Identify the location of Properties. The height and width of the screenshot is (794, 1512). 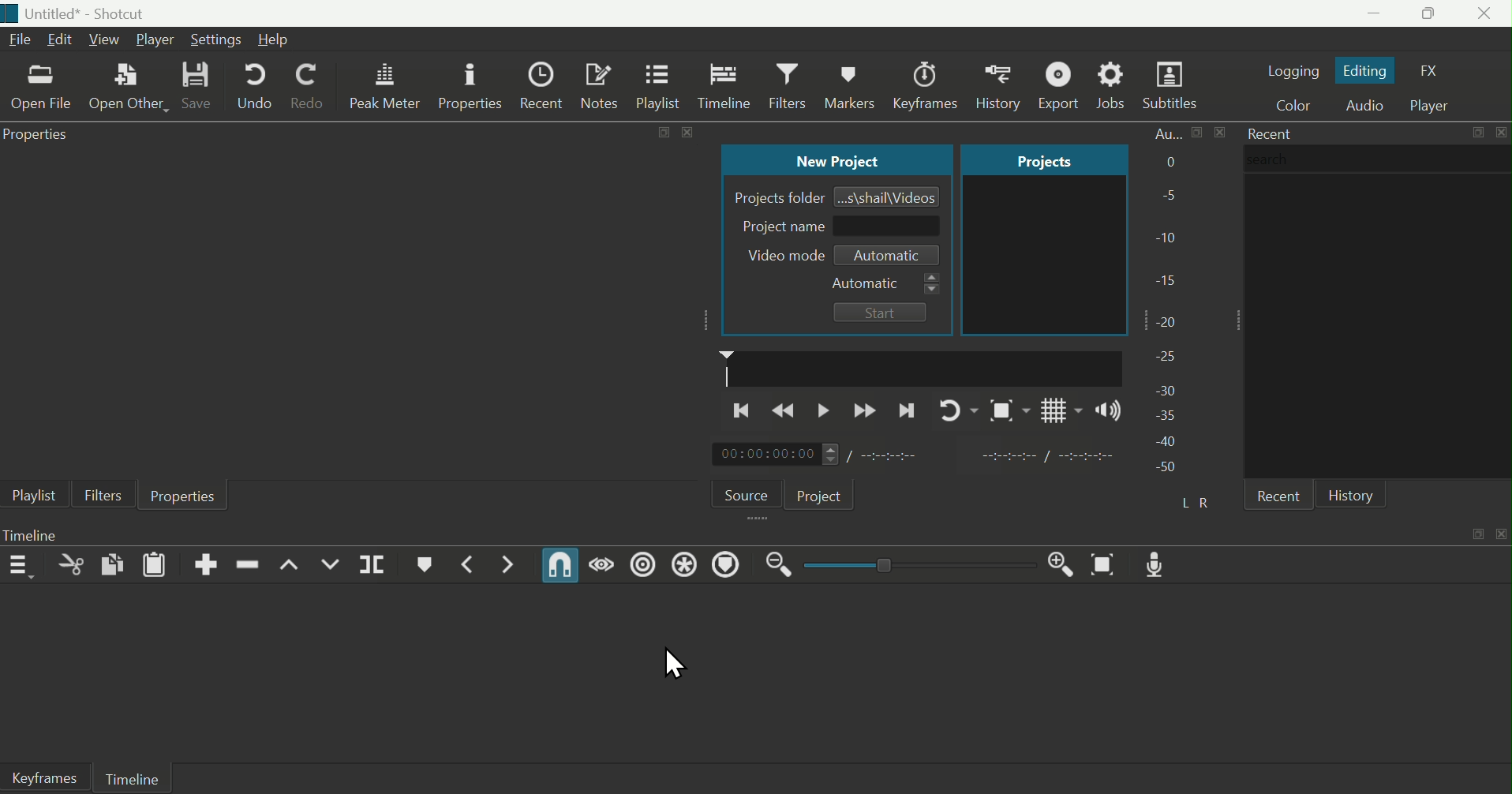
(39, 136).